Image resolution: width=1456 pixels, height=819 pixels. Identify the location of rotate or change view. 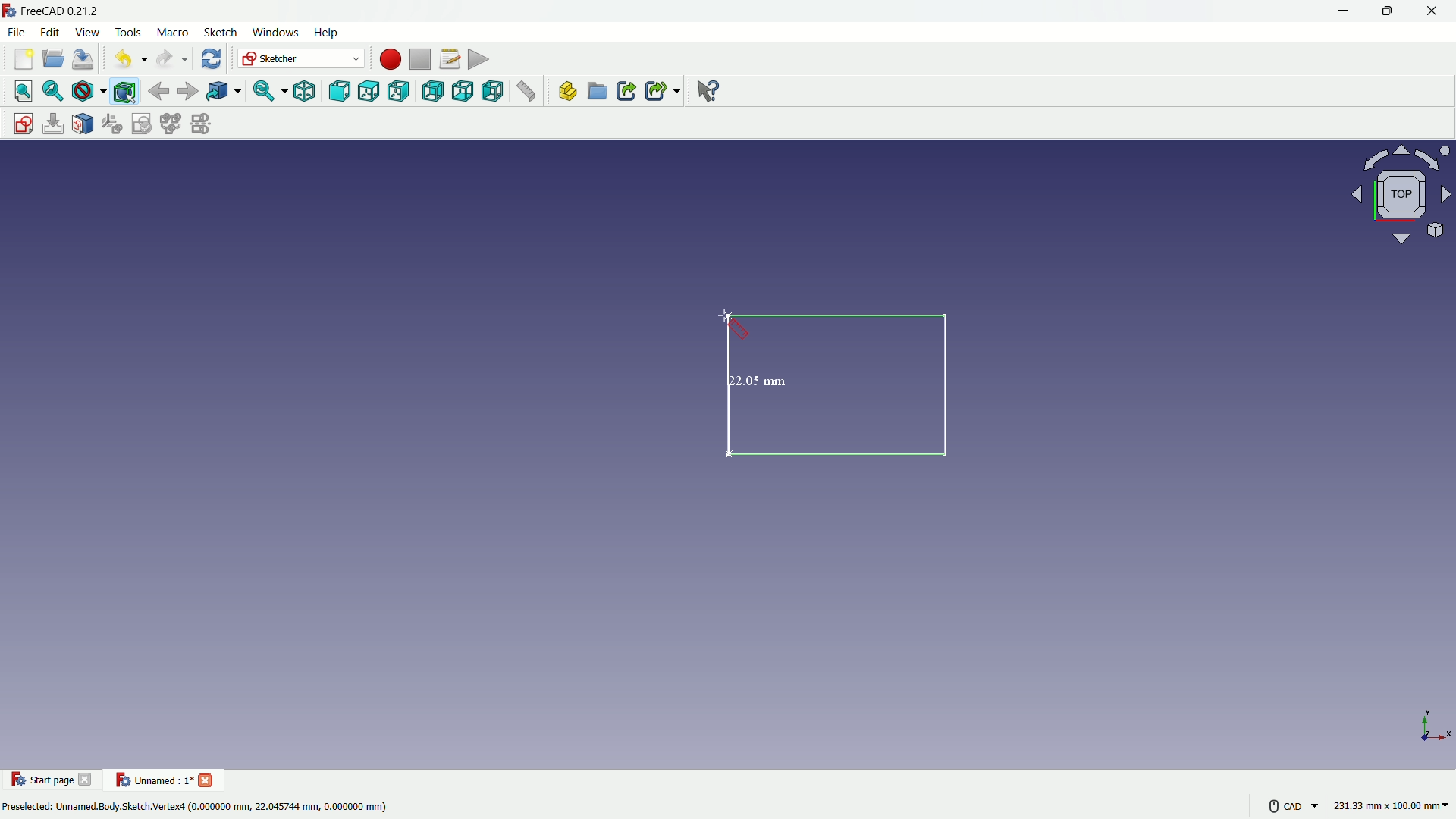
(1397, 196).